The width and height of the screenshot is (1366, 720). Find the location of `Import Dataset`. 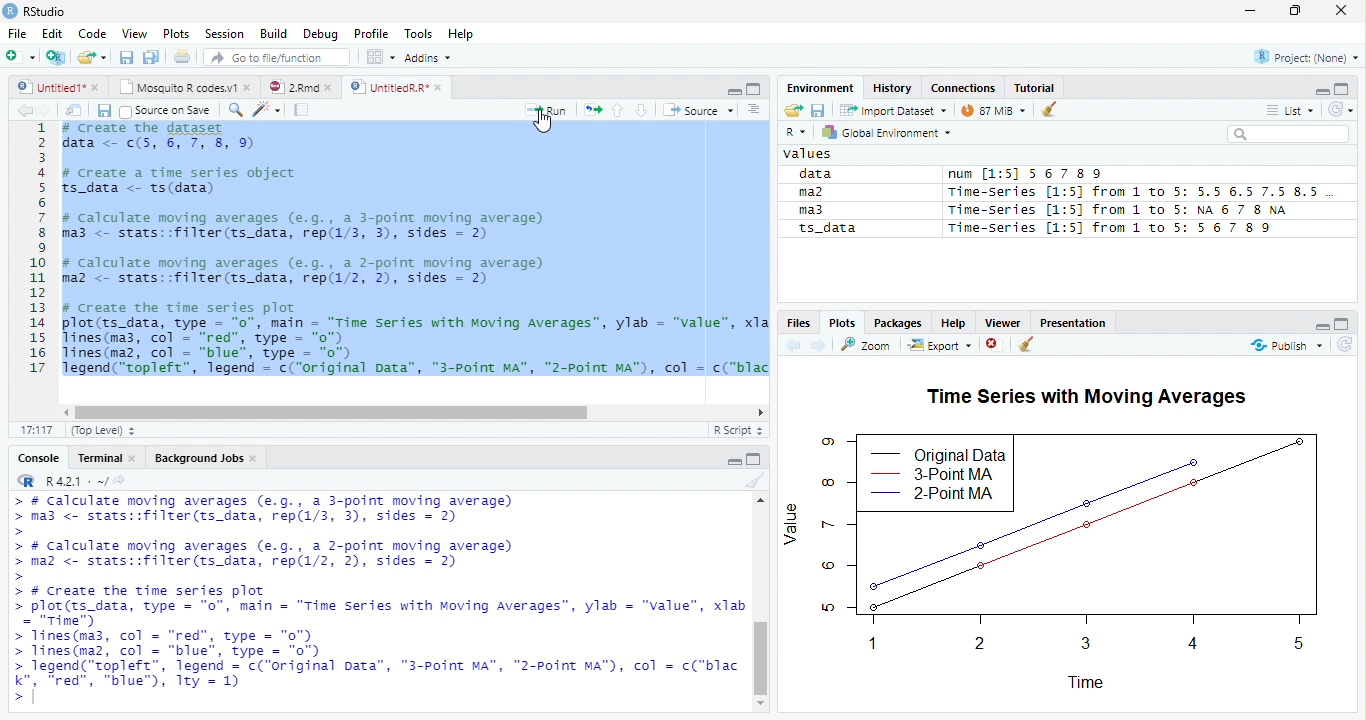

Import Dataset is located at coordinates (895, 110).